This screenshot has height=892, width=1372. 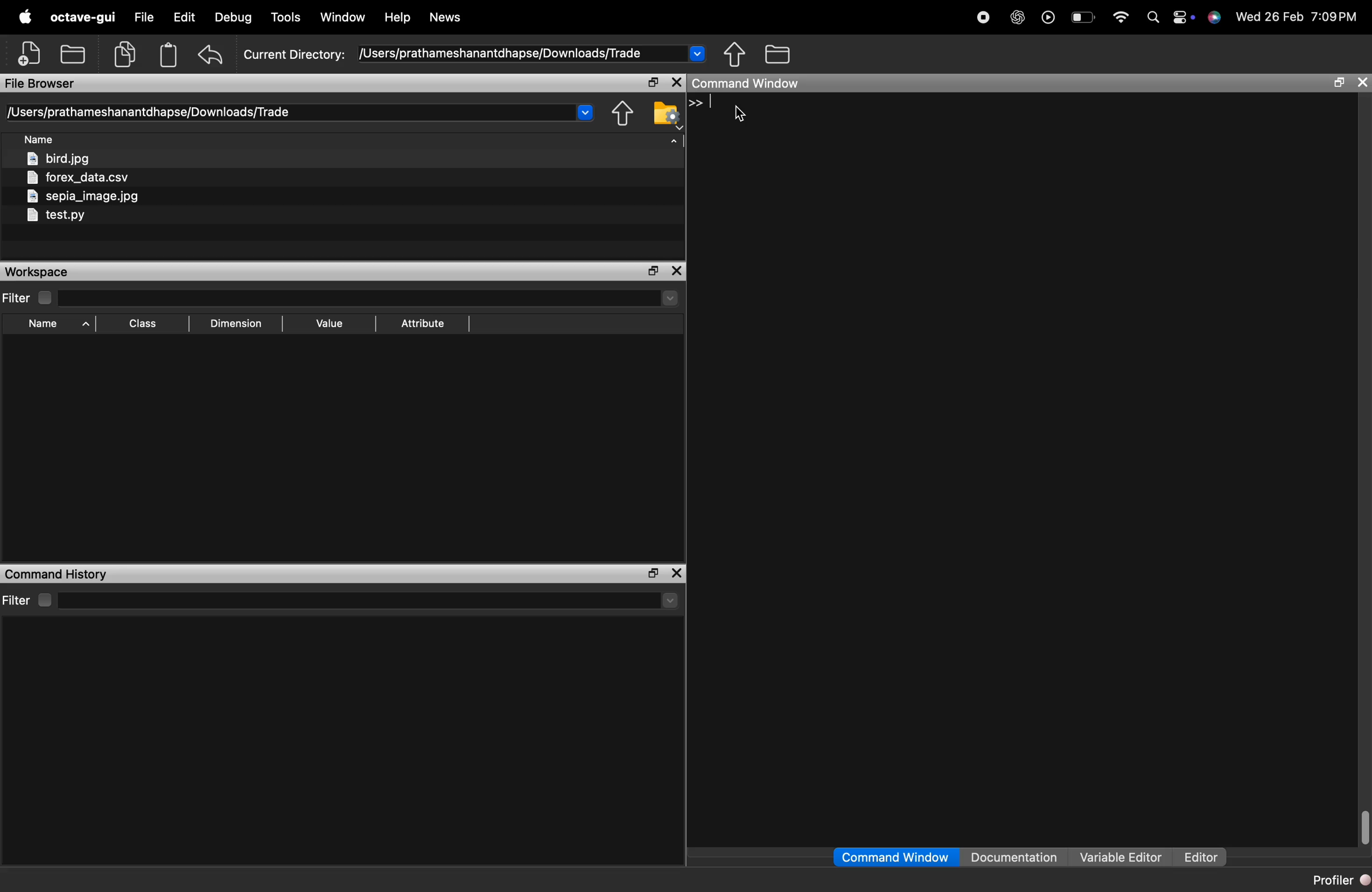 What do you see at coordinates (475, 54) in the screenshot?
I see `current directory` at bounding box center [475, 54].